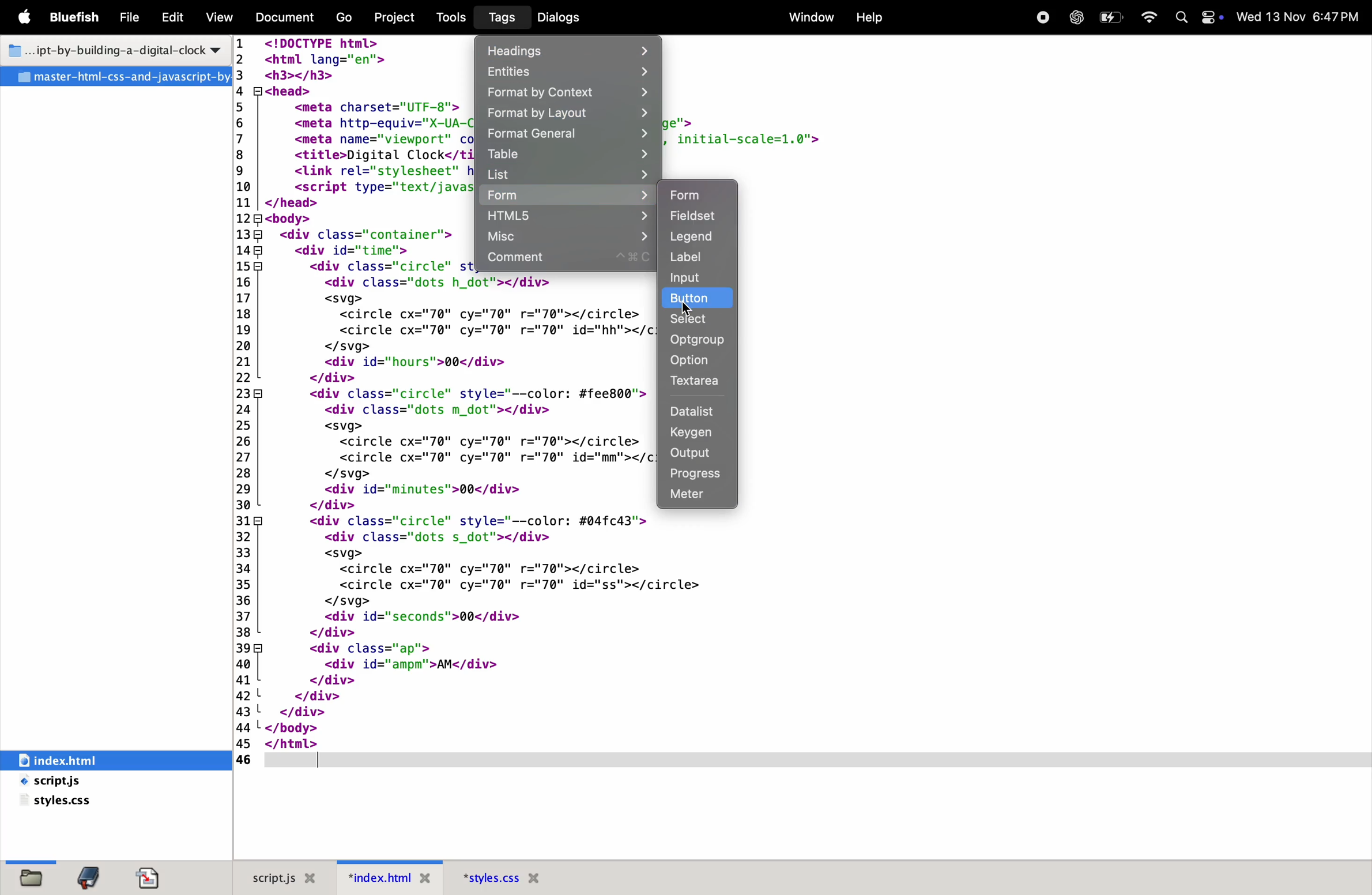 The width and height of the screenshot is (1372, 895). Describe the element at coordinates (696, 194) in the screenshot. I see `Form` at that location.